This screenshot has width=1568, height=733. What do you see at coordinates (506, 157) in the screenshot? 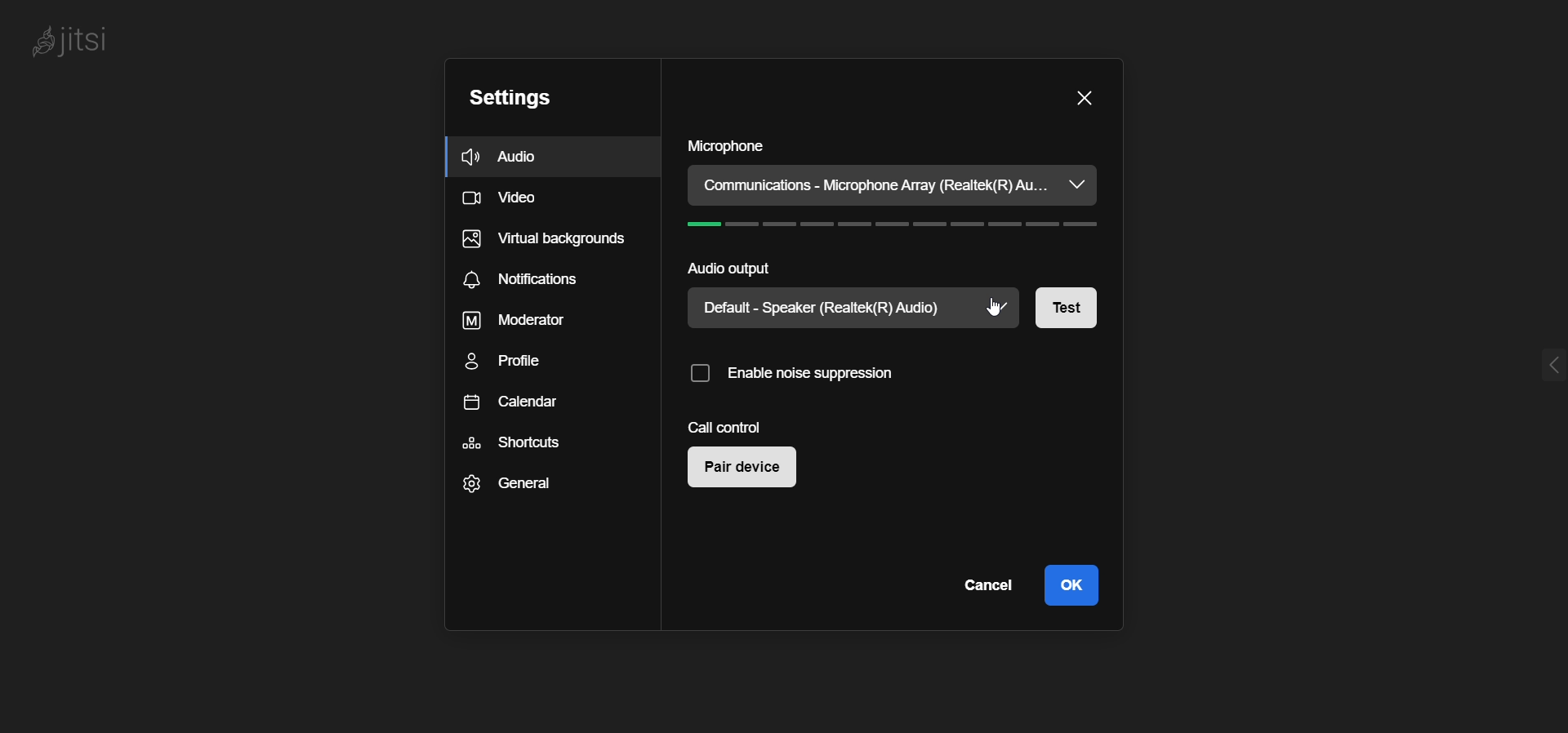
I see `audio` at bounding box center [506, 157].